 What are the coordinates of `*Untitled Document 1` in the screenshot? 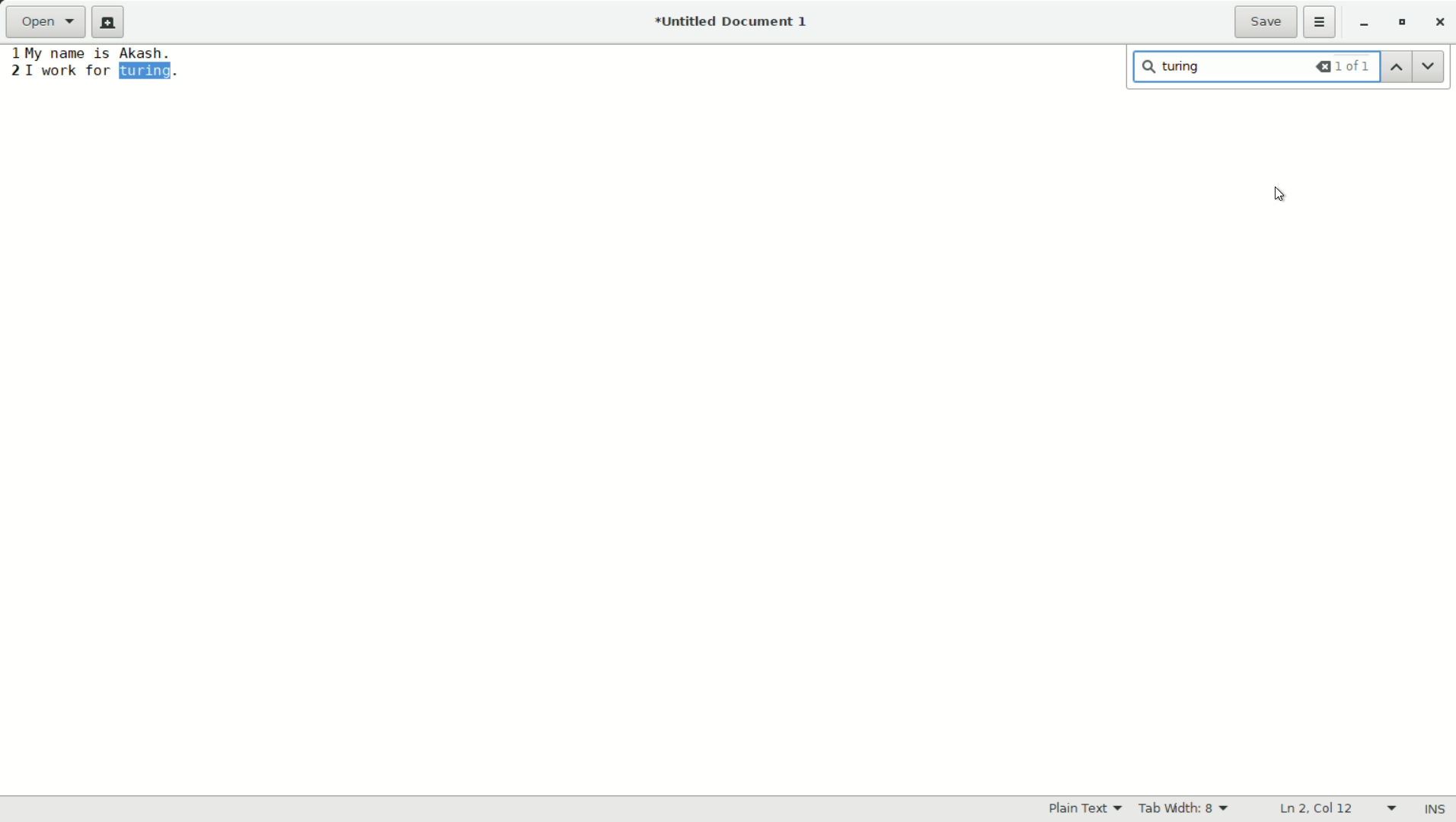 It's located at (734, 23).